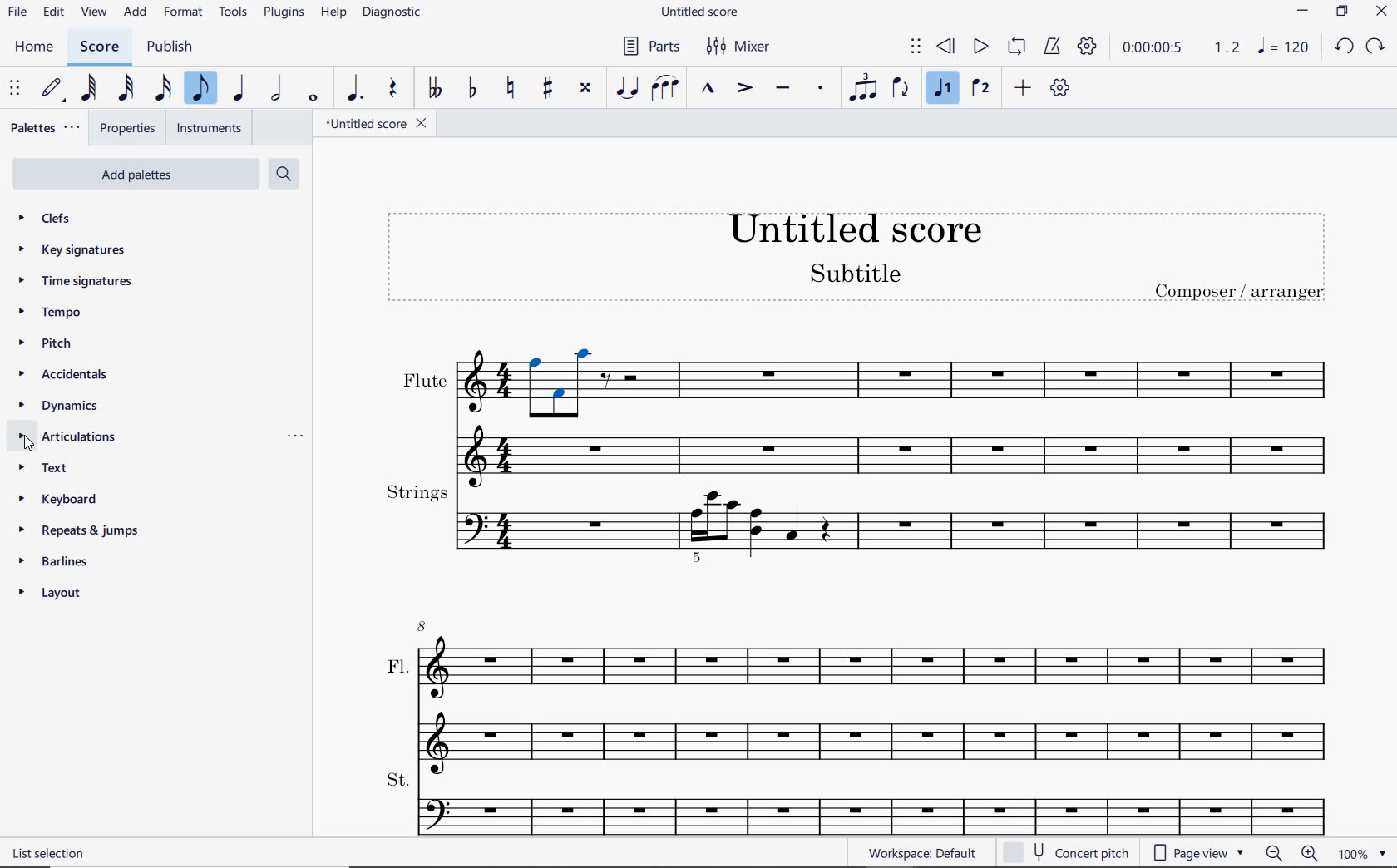 The image size is (1397, 868). What do you see at coordinates (1063, 88) in the screenshot?
I see `CUSTOMIZE TOOLBAR` at bounding box center [1063, 88].